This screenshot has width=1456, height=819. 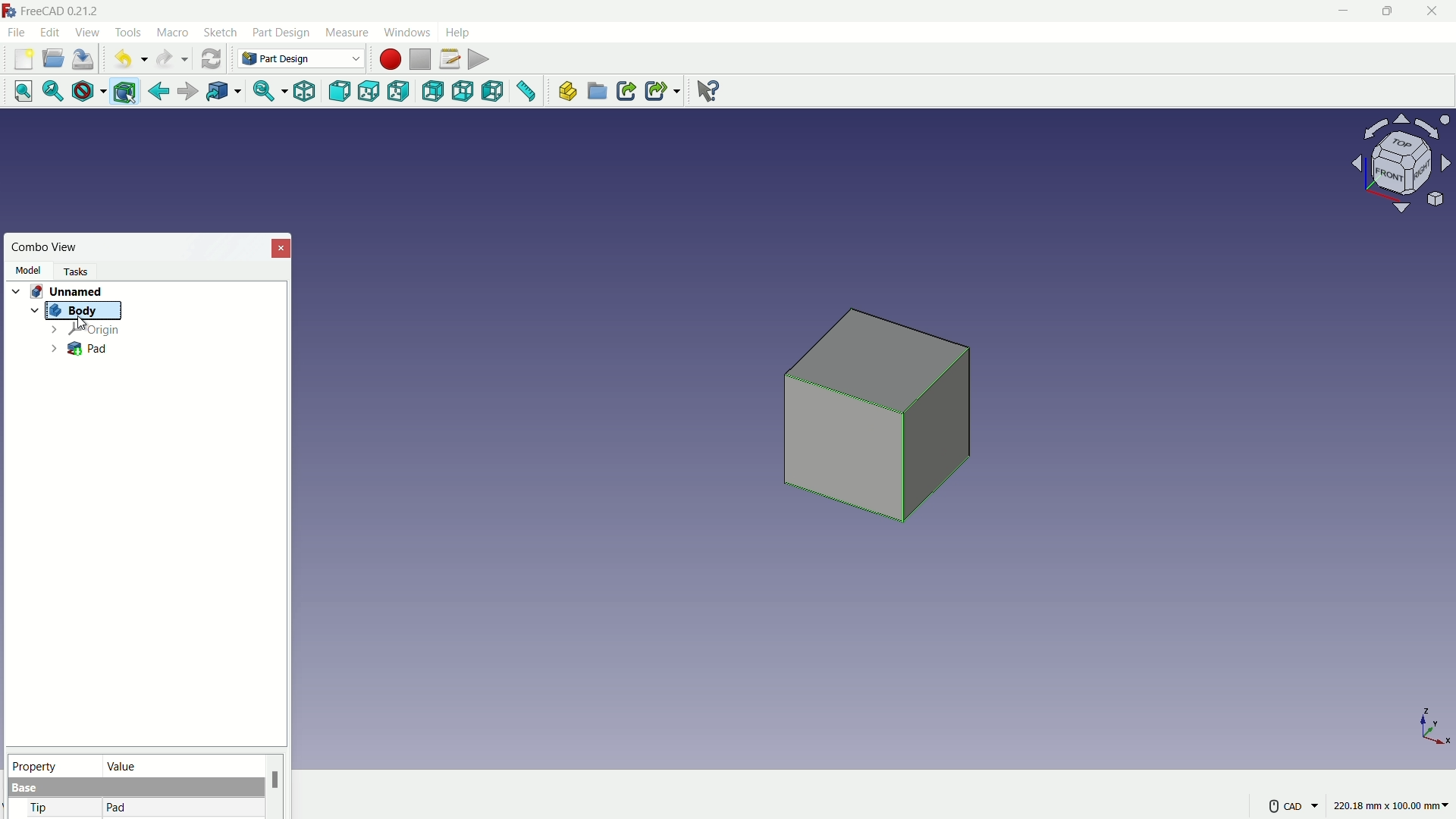 I want to click on front view, so click(x=341, y=92).